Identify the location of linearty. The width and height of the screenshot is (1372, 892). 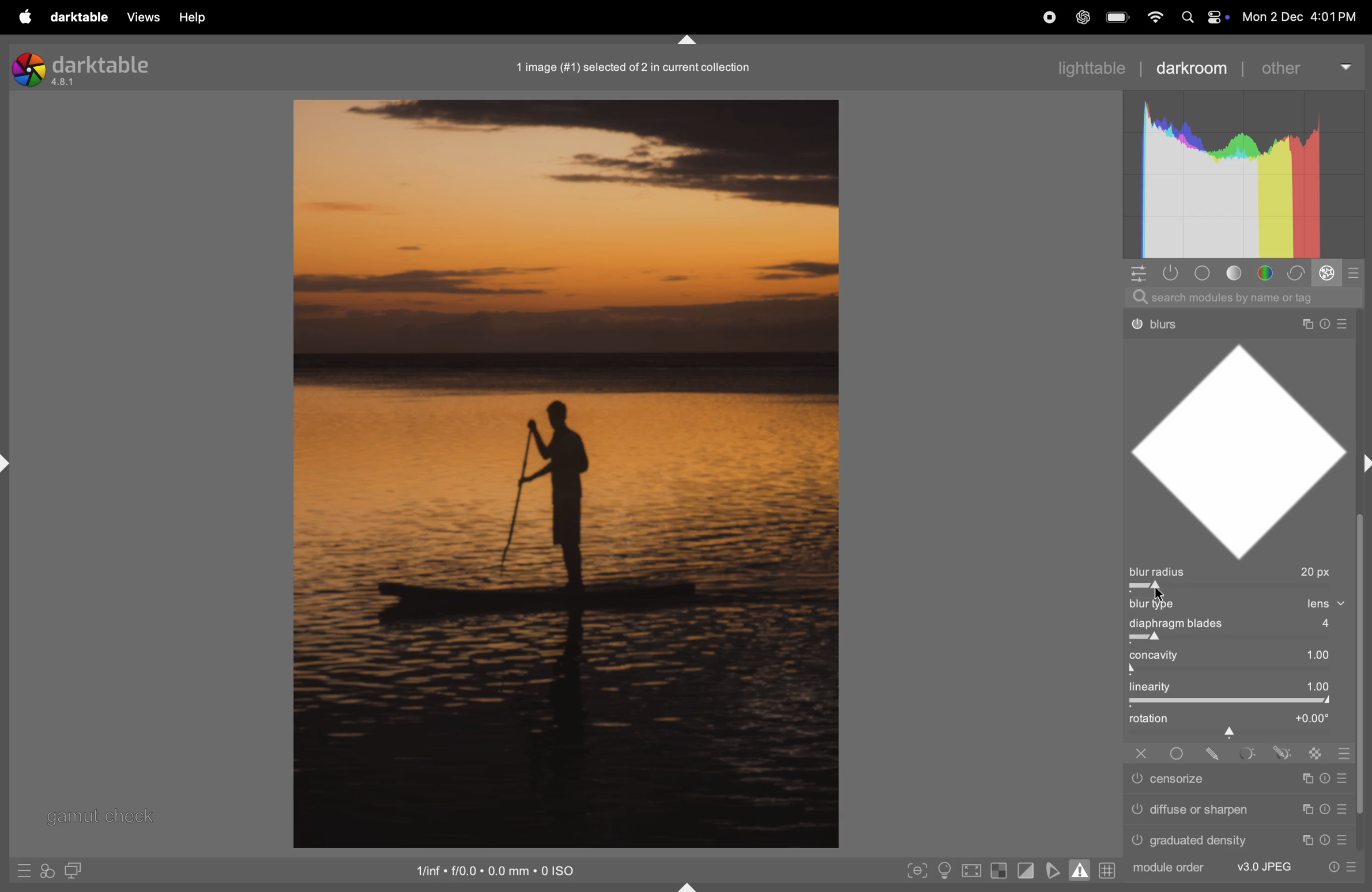
(1238, 687).